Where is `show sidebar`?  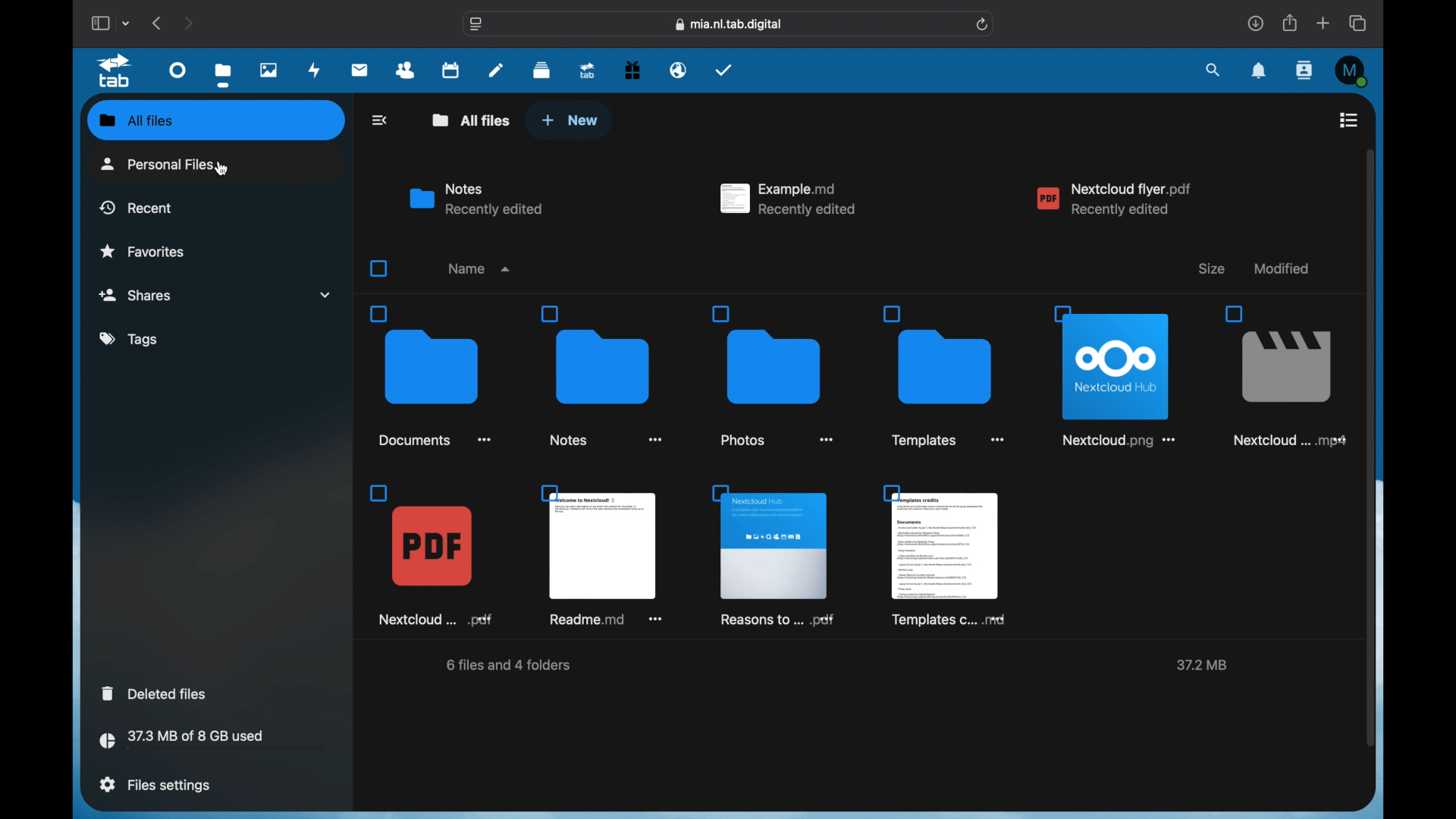
show sidebar is located at coordinates (99, 23).